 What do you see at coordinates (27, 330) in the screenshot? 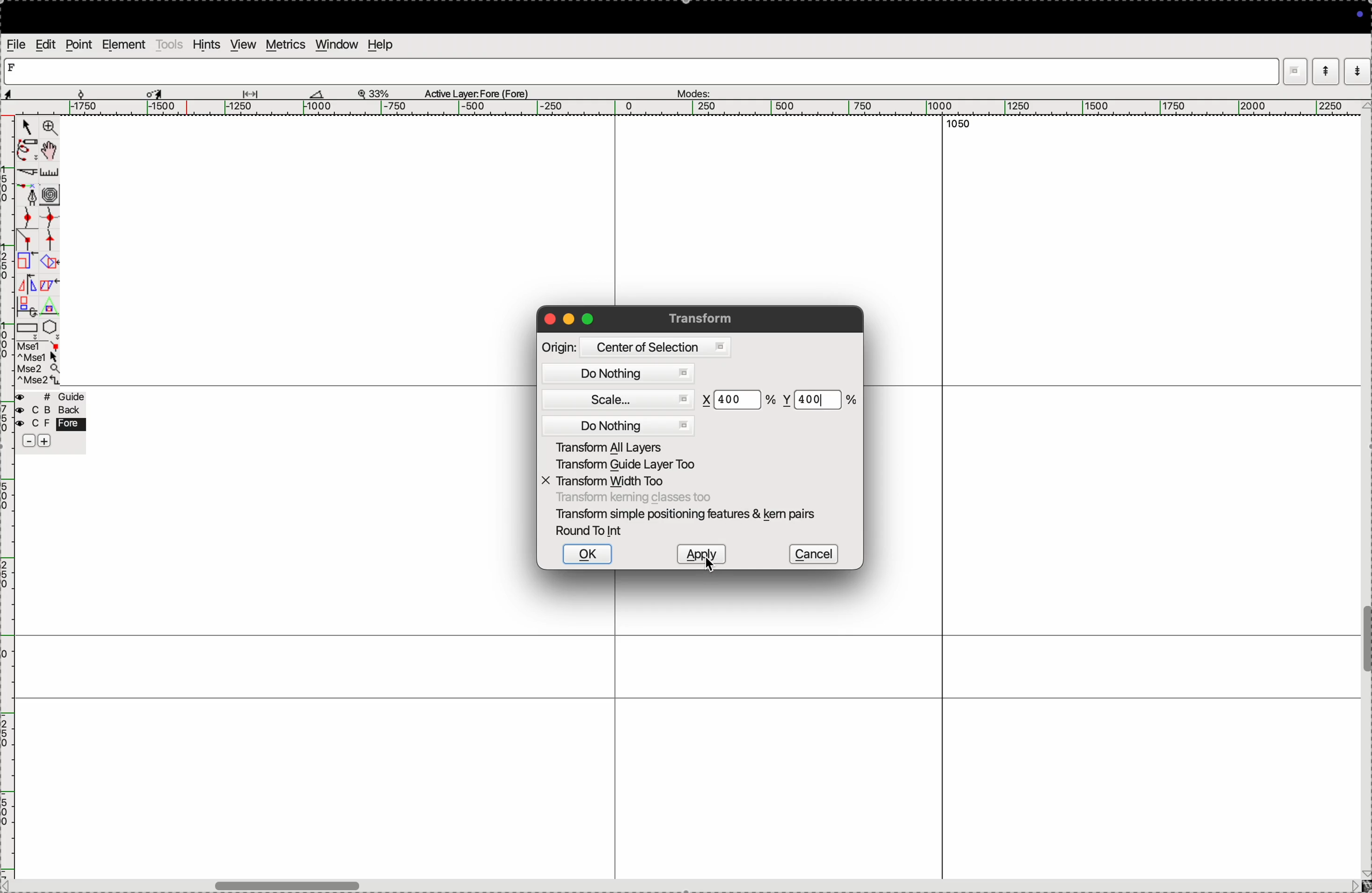
I see `rectangle` at bounding box center [27, 330].